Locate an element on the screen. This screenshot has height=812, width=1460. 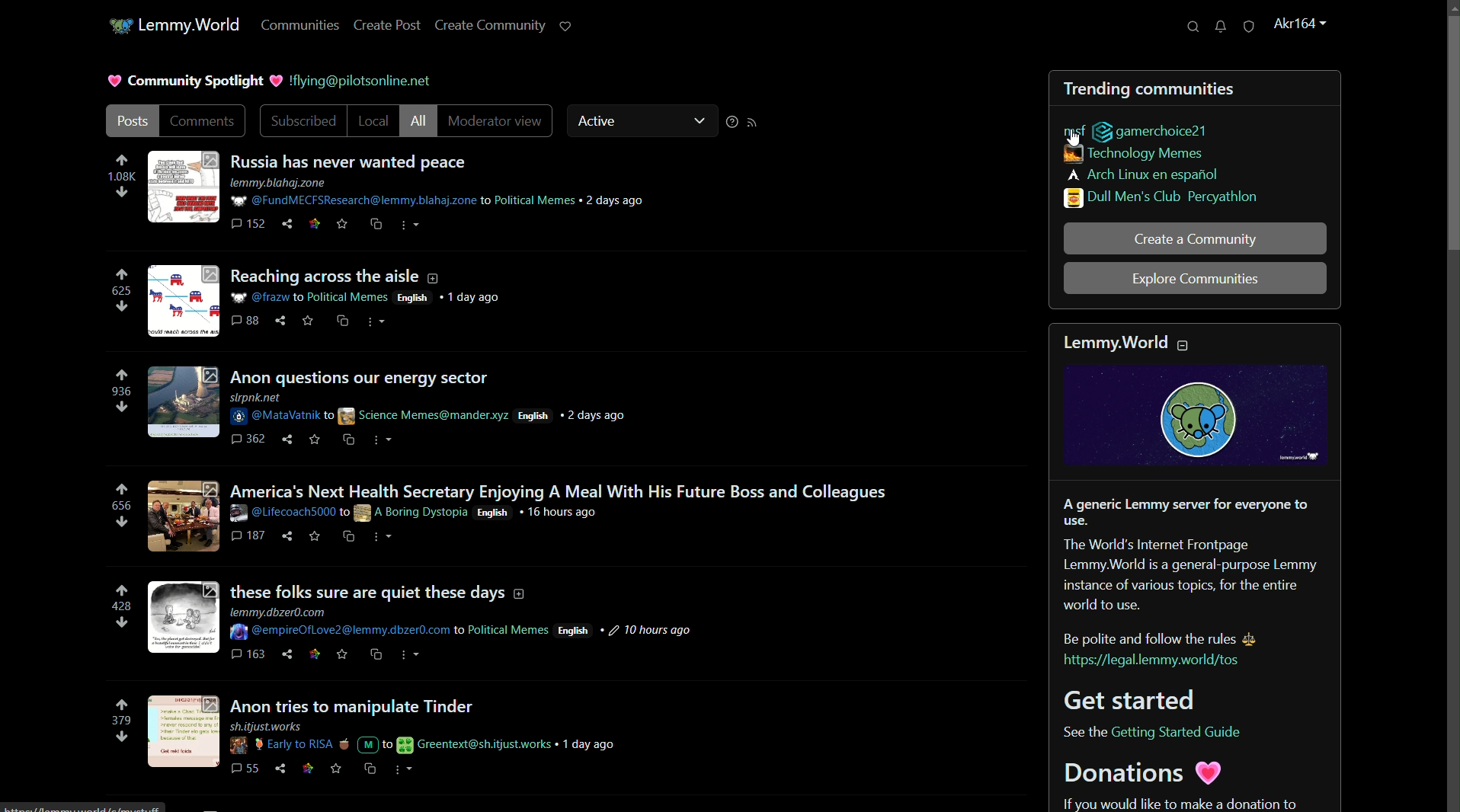
cs is located at coordinates (376, 654).